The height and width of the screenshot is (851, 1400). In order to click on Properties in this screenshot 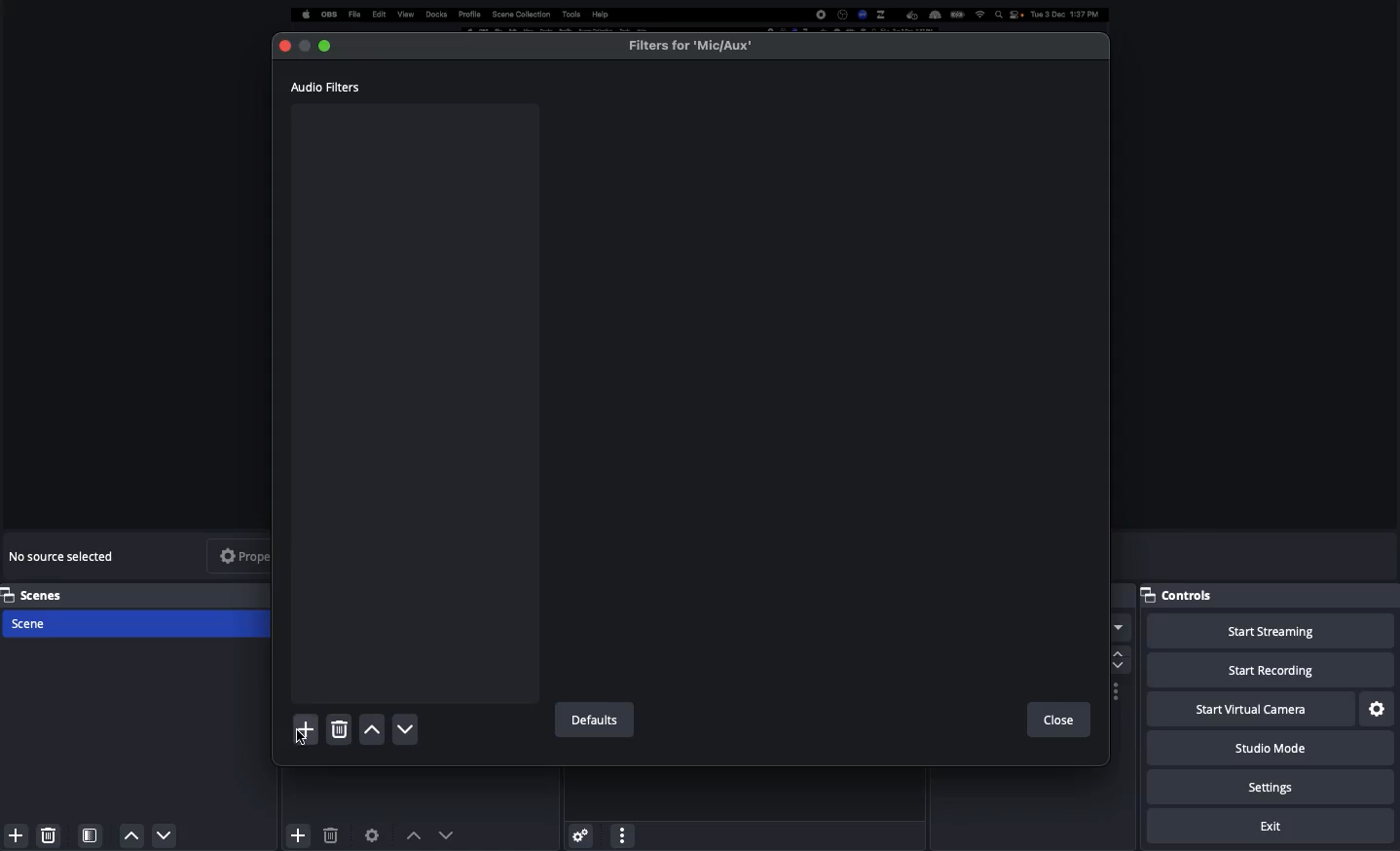, I will do `click(257, 555)`.